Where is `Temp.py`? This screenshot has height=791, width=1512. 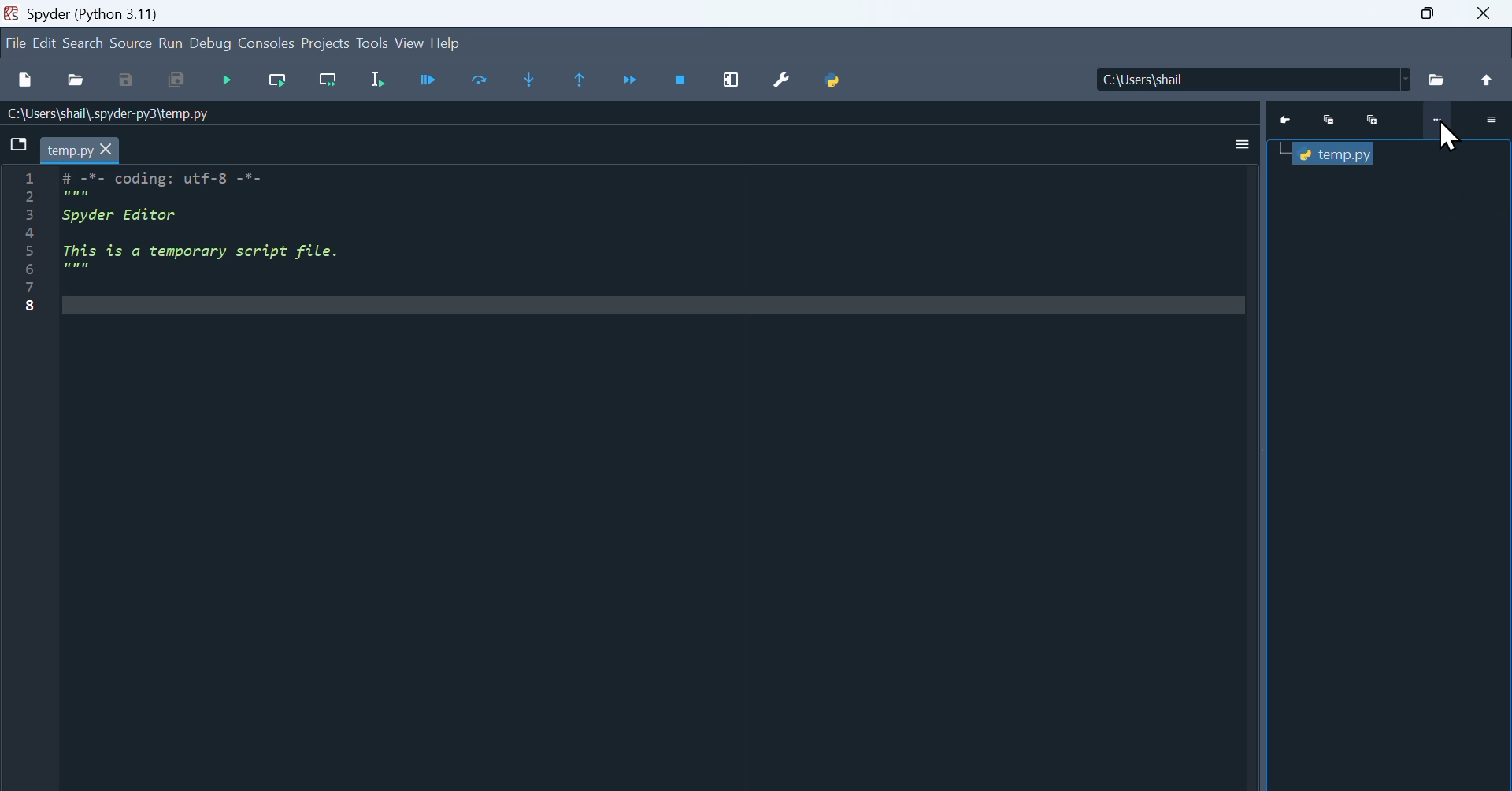
Temp.py is located at coordinates (1333, 153).